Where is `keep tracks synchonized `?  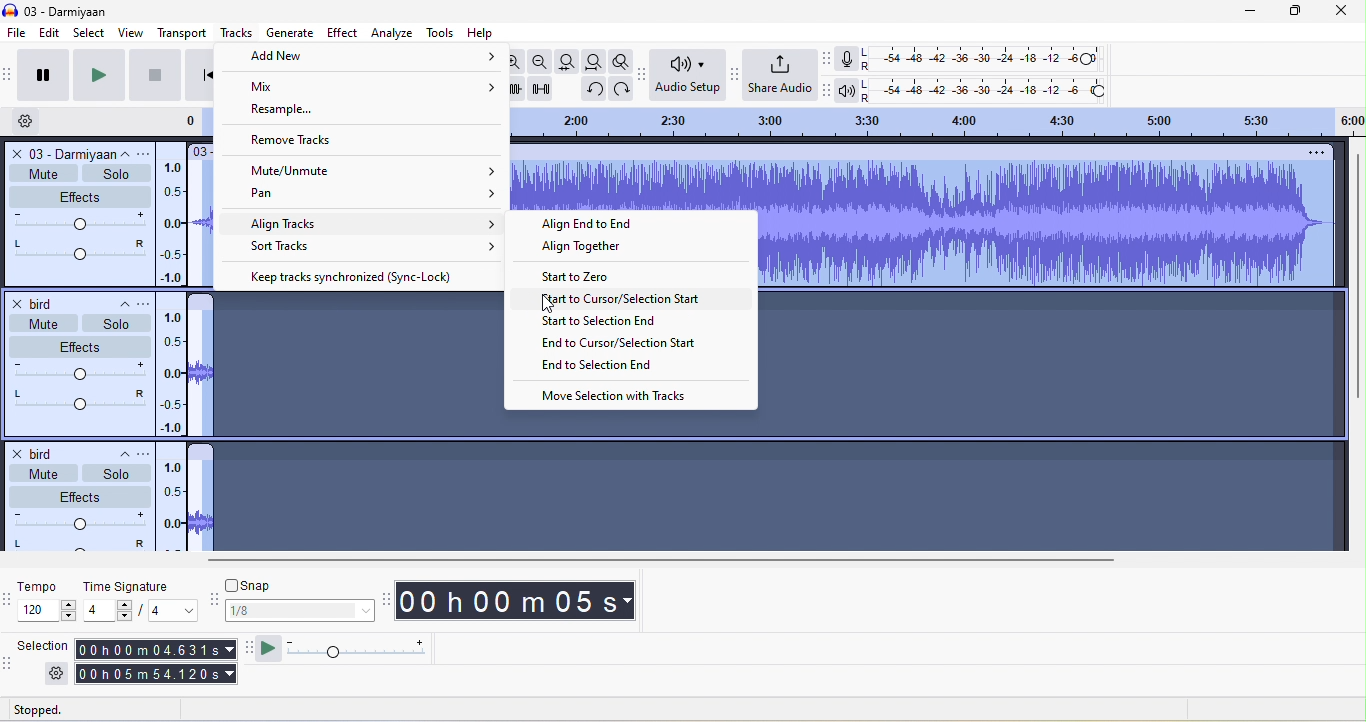 keep tracks synchonized  is located at coordinates (357, 277).